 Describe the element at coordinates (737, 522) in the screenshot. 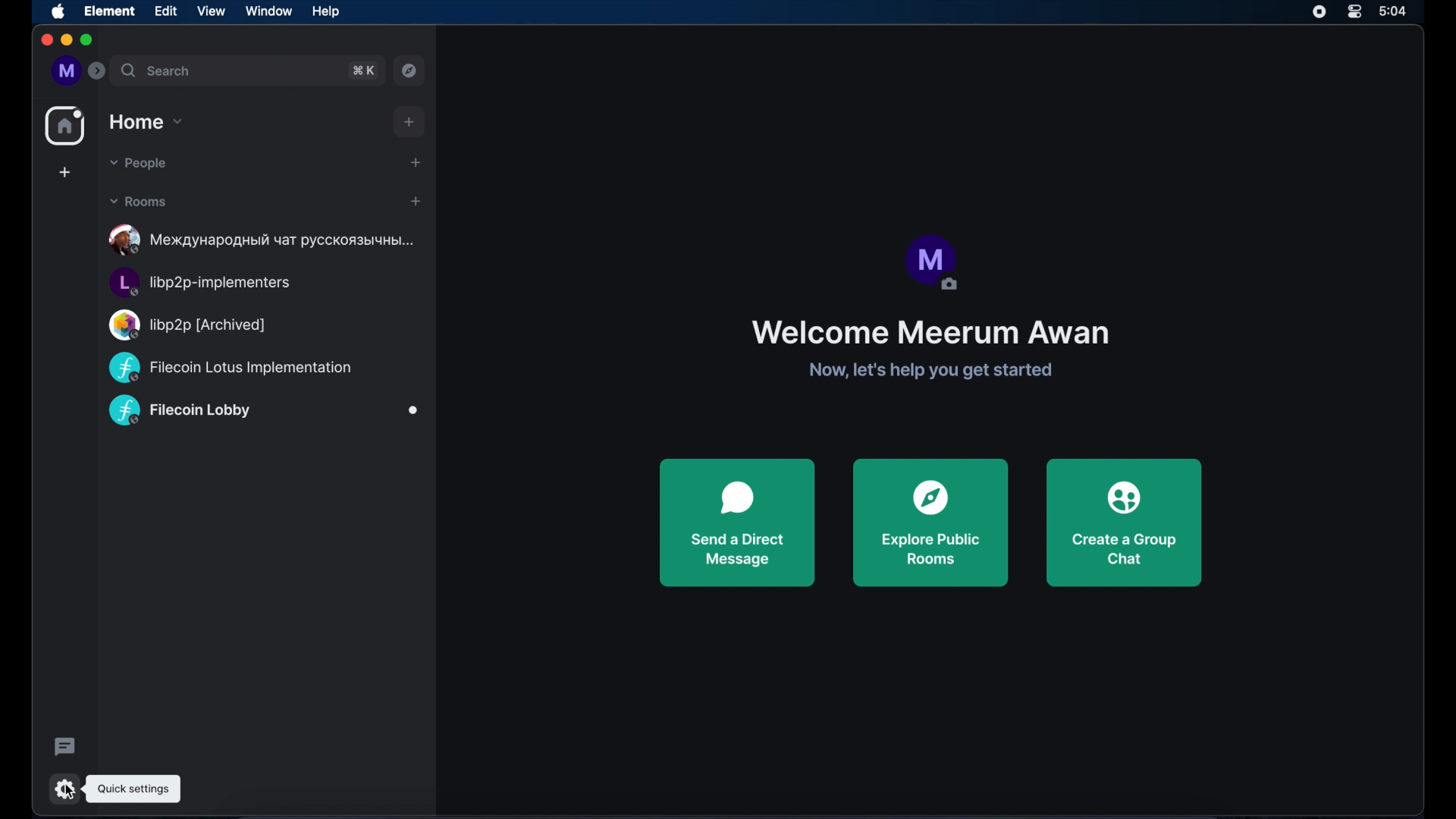

I see `send a direct message` at that location.